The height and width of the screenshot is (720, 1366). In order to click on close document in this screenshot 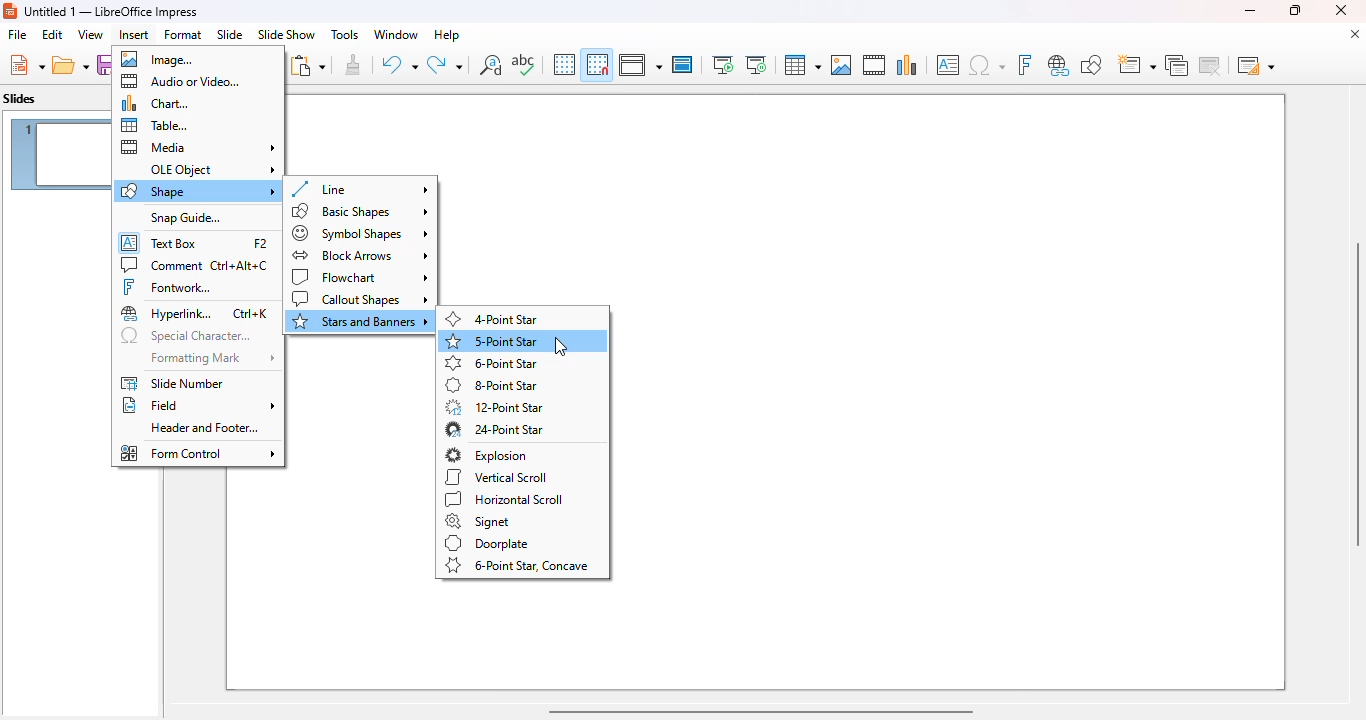, I will do `click(1354, 34)`.